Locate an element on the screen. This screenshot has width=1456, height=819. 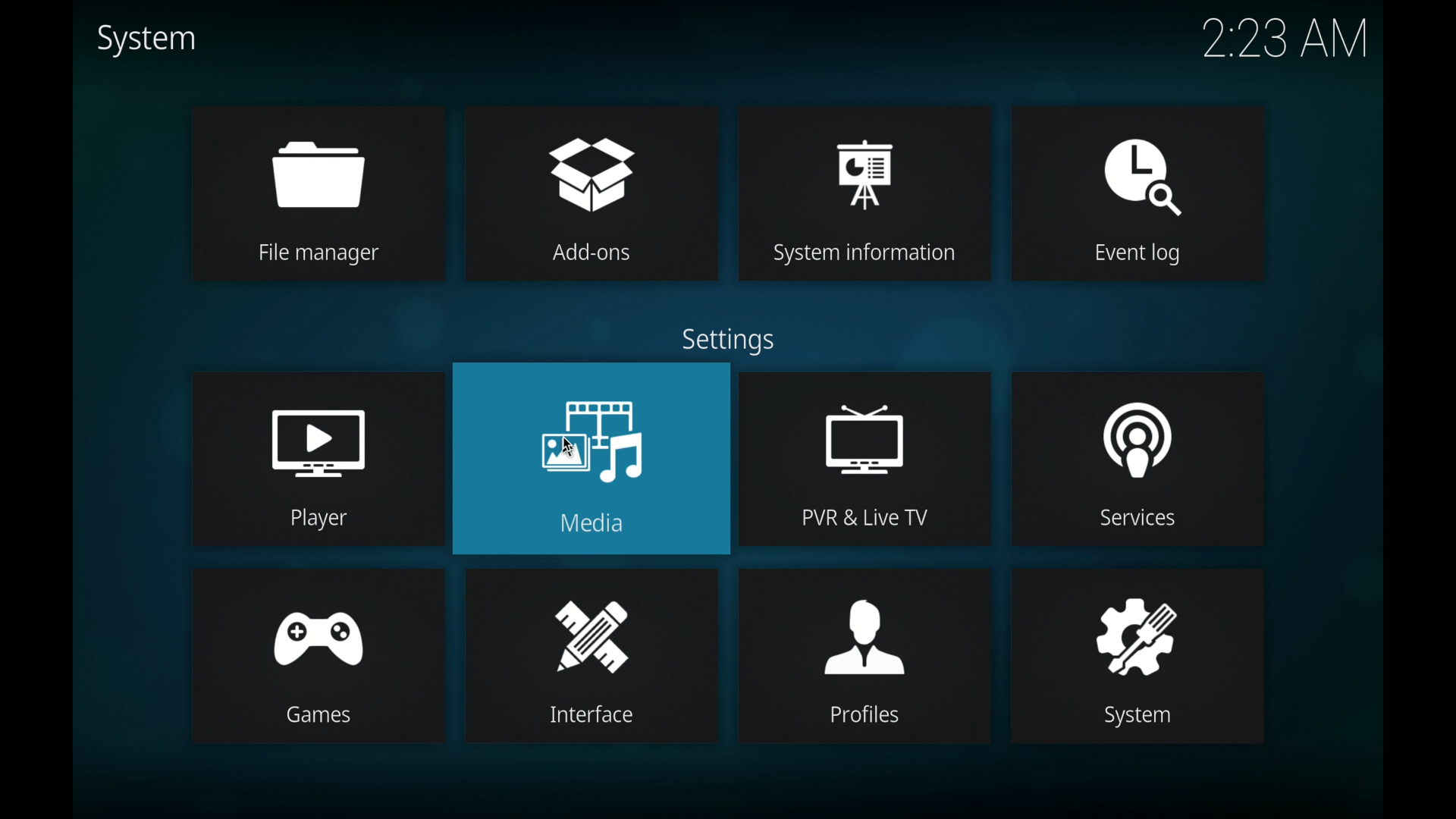
player is located at coordinates (318, 429).